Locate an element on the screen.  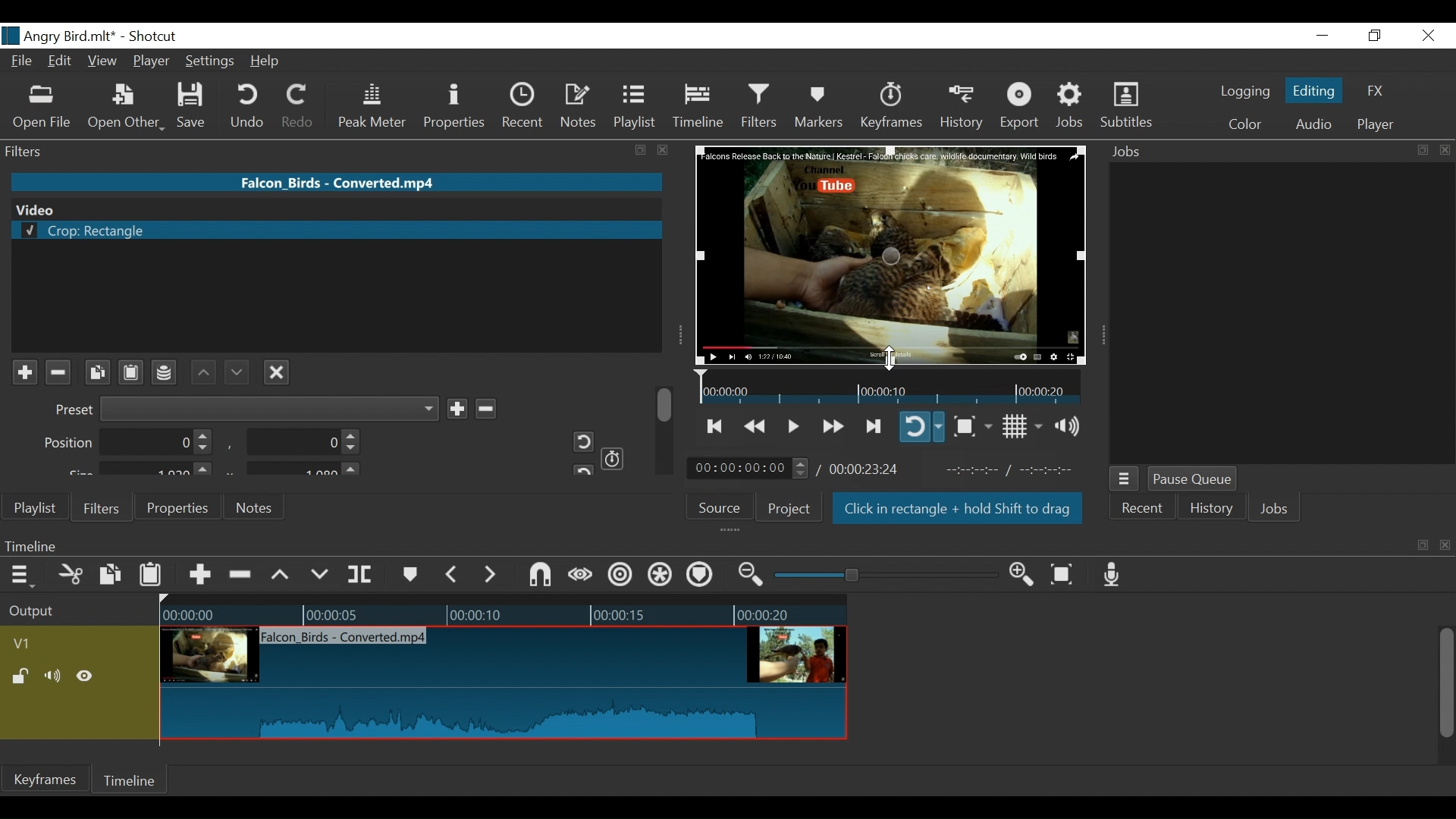
Lift is located at coordinates (283, 576).